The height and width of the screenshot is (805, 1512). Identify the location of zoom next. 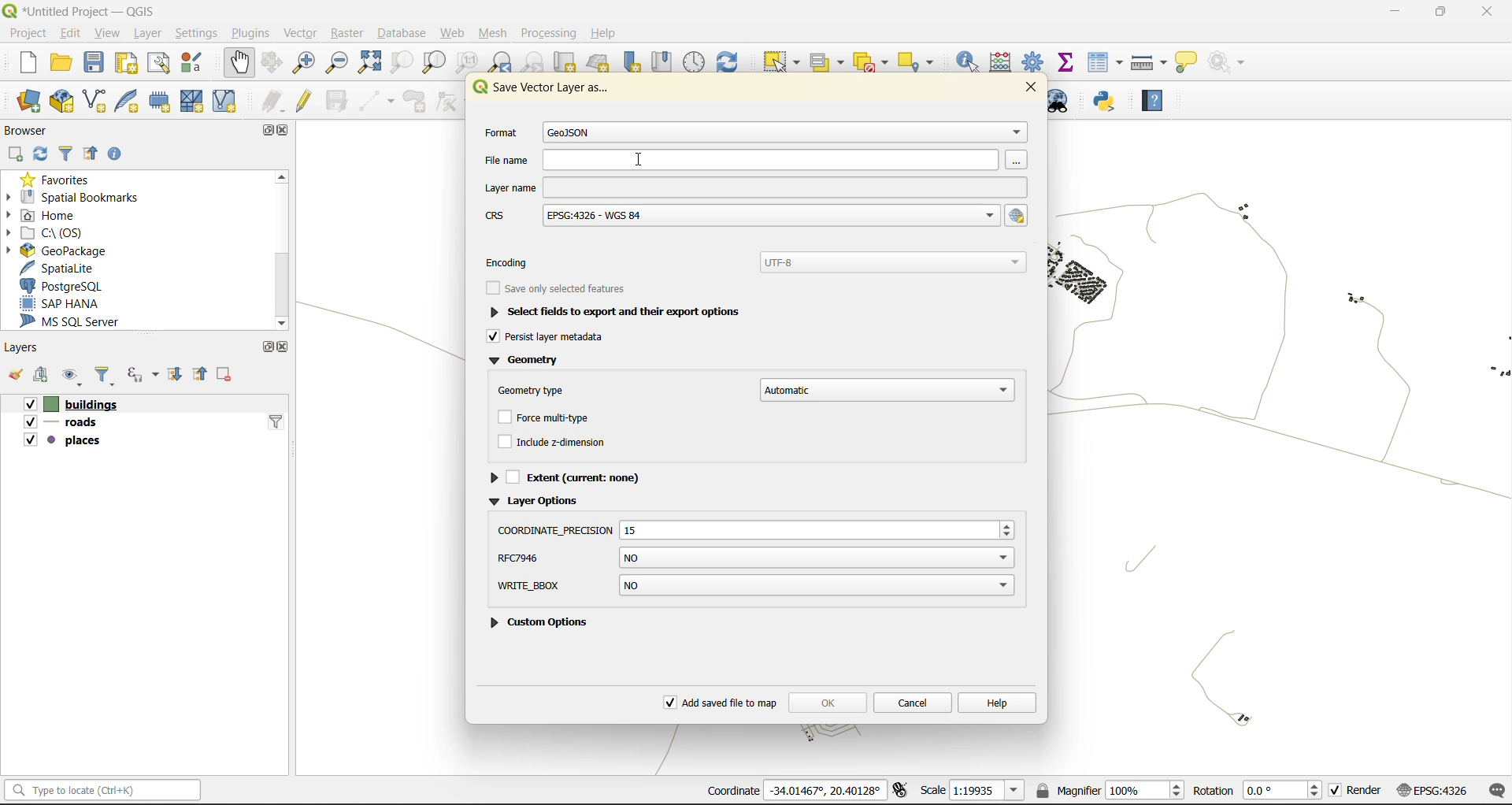
(537, 62).